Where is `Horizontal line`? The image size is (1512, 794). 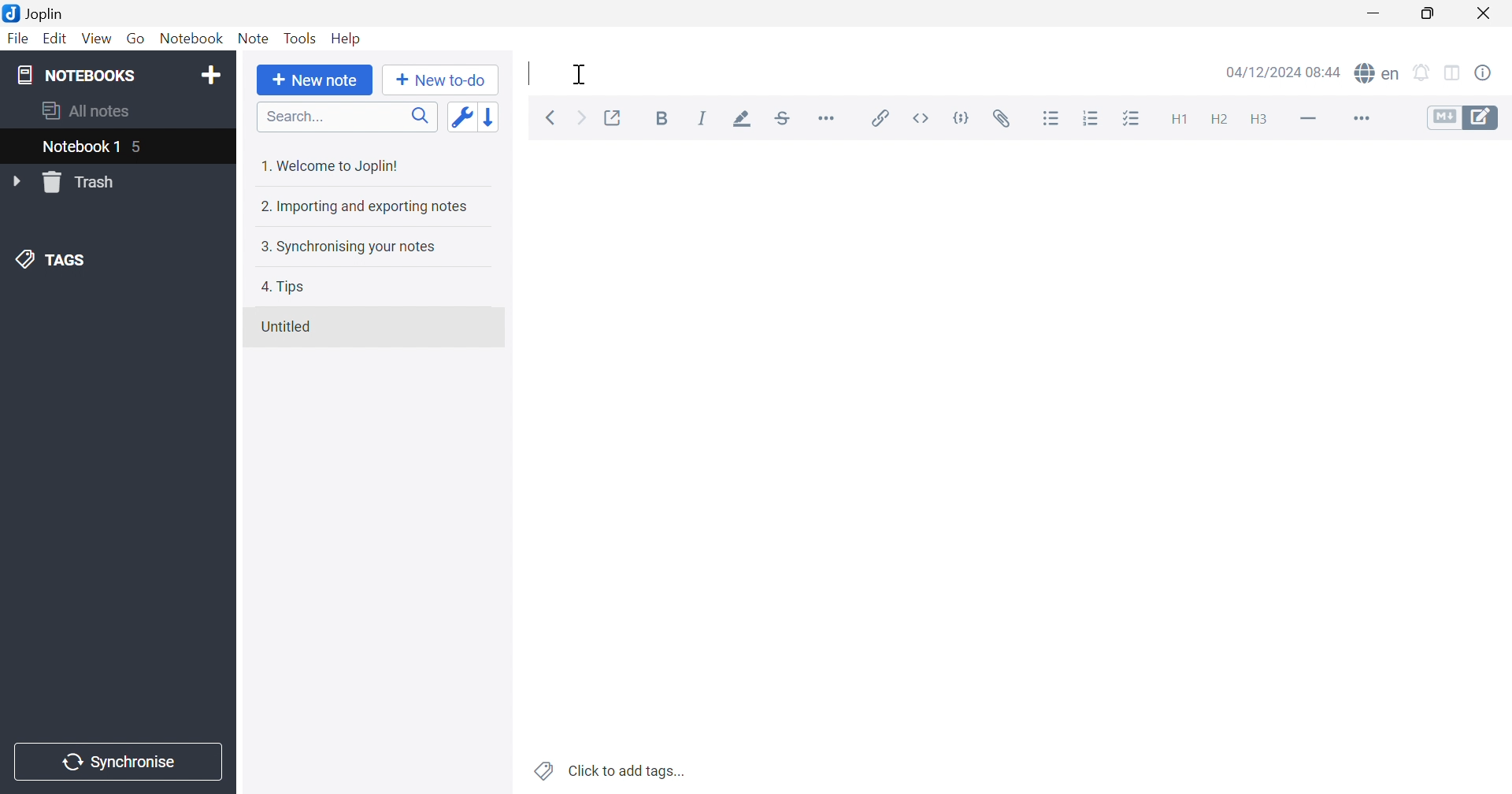 Horizontal line is located at coordinates (1308, 120).